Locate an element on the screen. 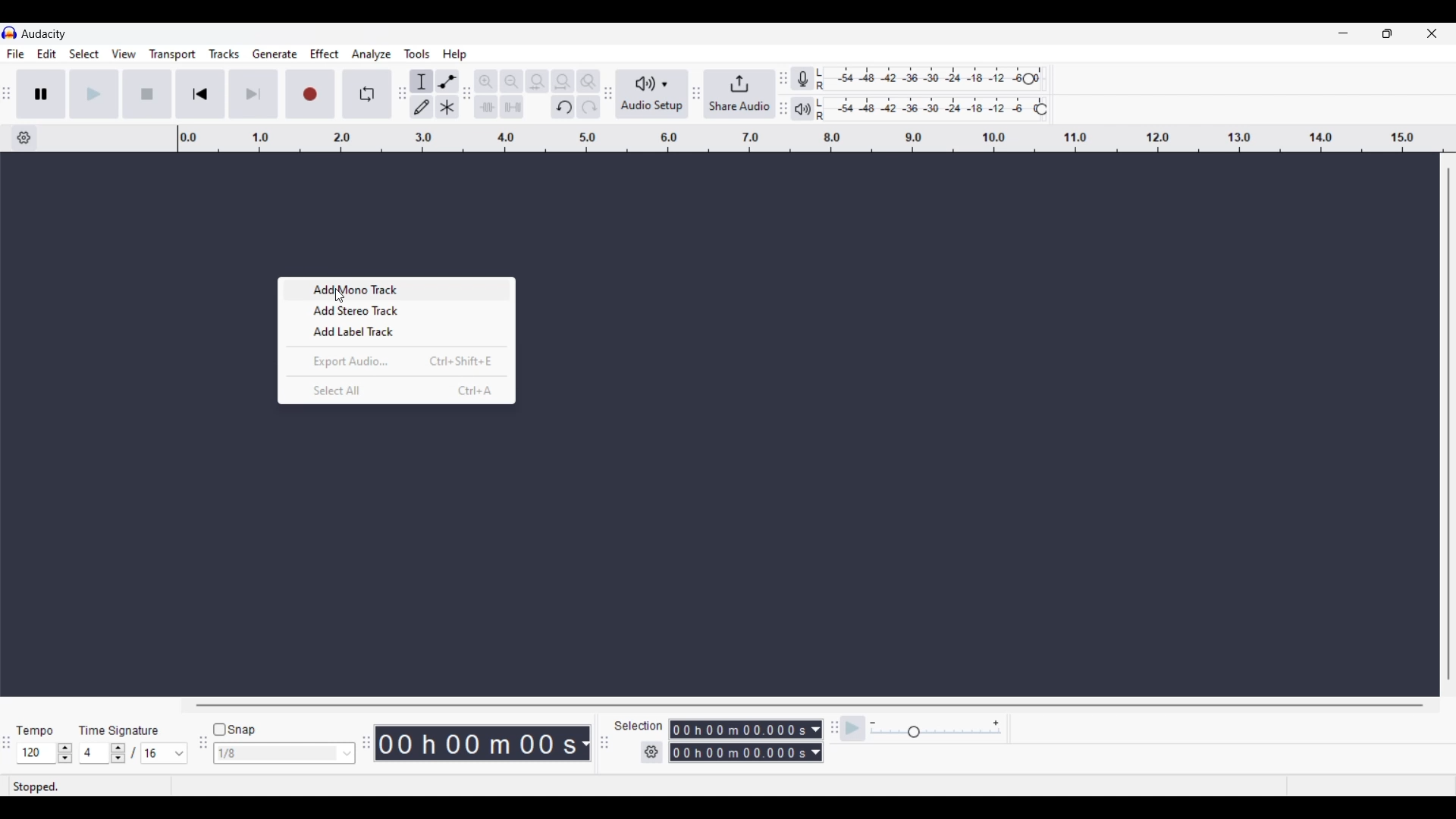  Zoom toggle is located at coordinates (588, 81).